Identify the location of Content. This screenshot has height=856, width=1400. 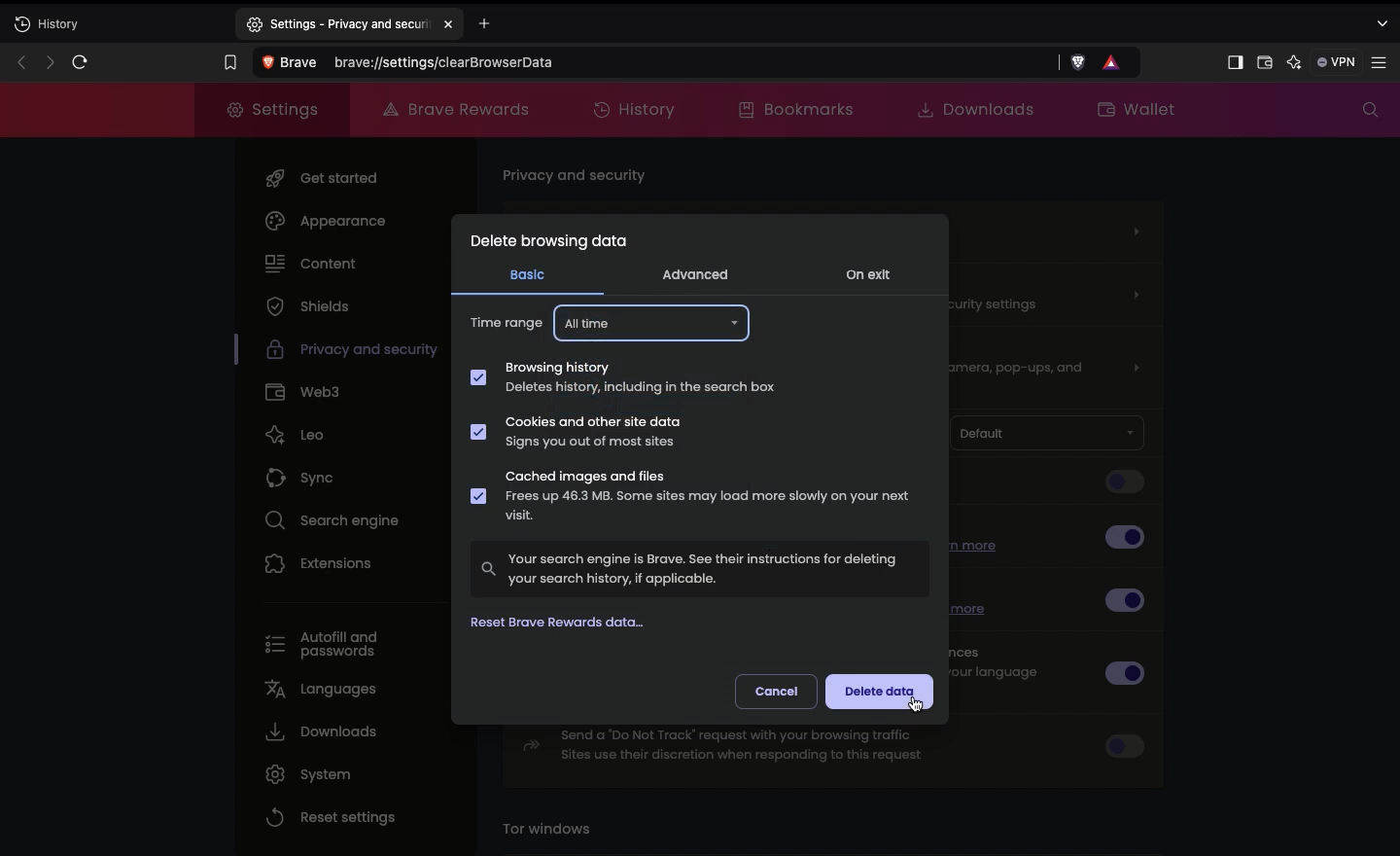
(308, 266).